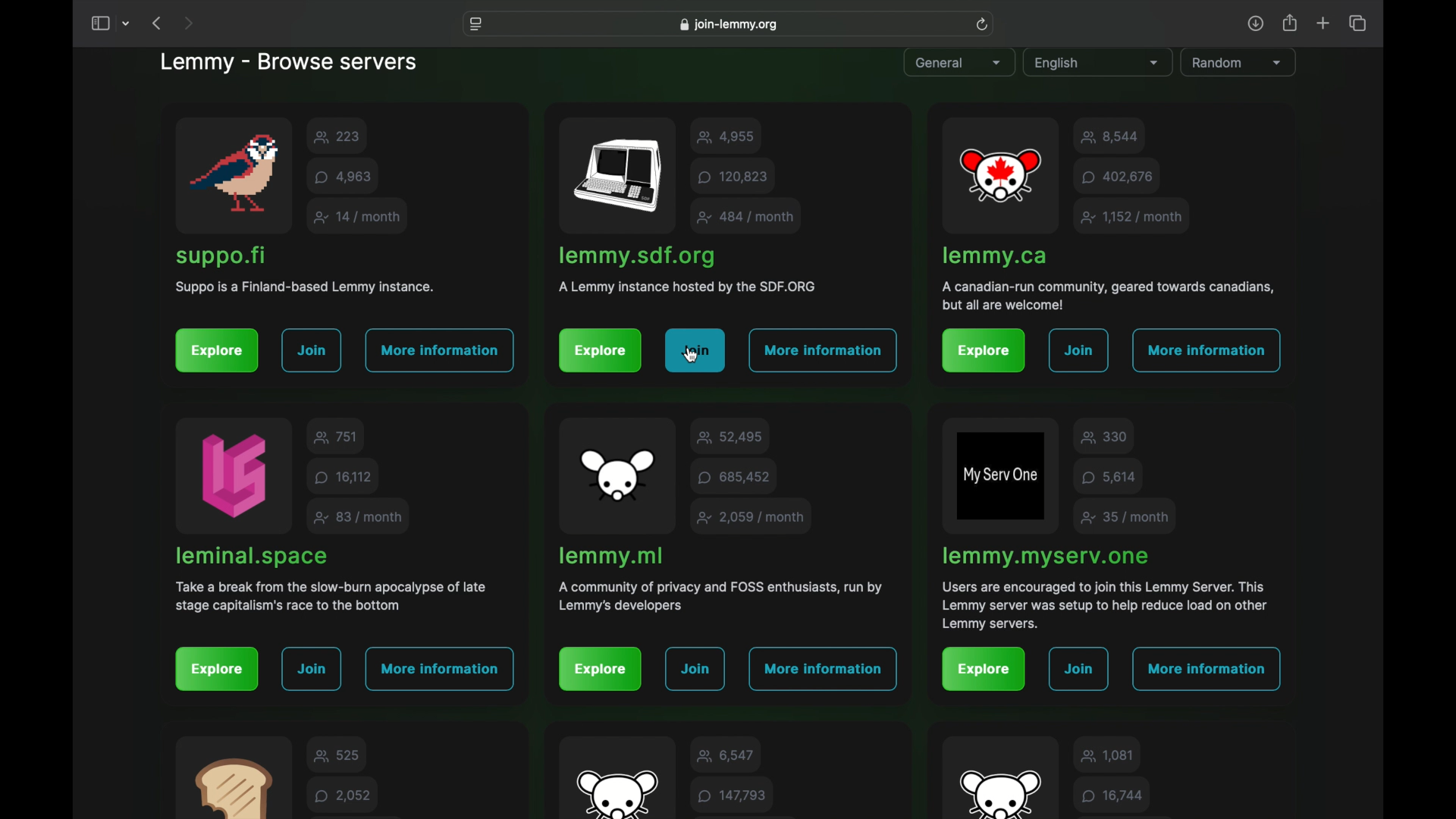 This screenshot has height=819, width=1456. Describe the element at coordinates (1112, 795) in the screenshot. I see `comment` at that location.